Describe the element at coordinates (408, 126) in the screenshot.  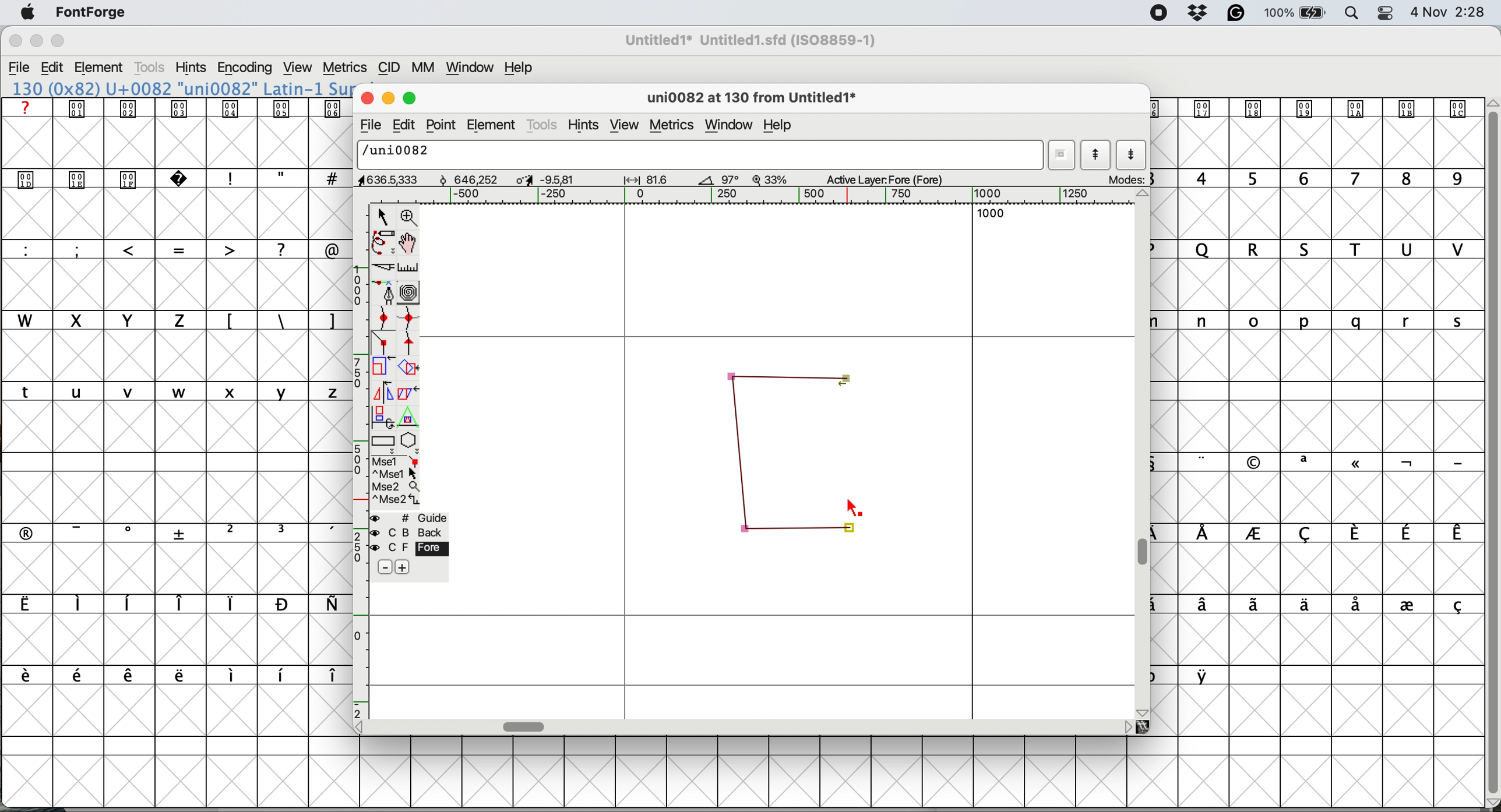
I see `edit` at that location.